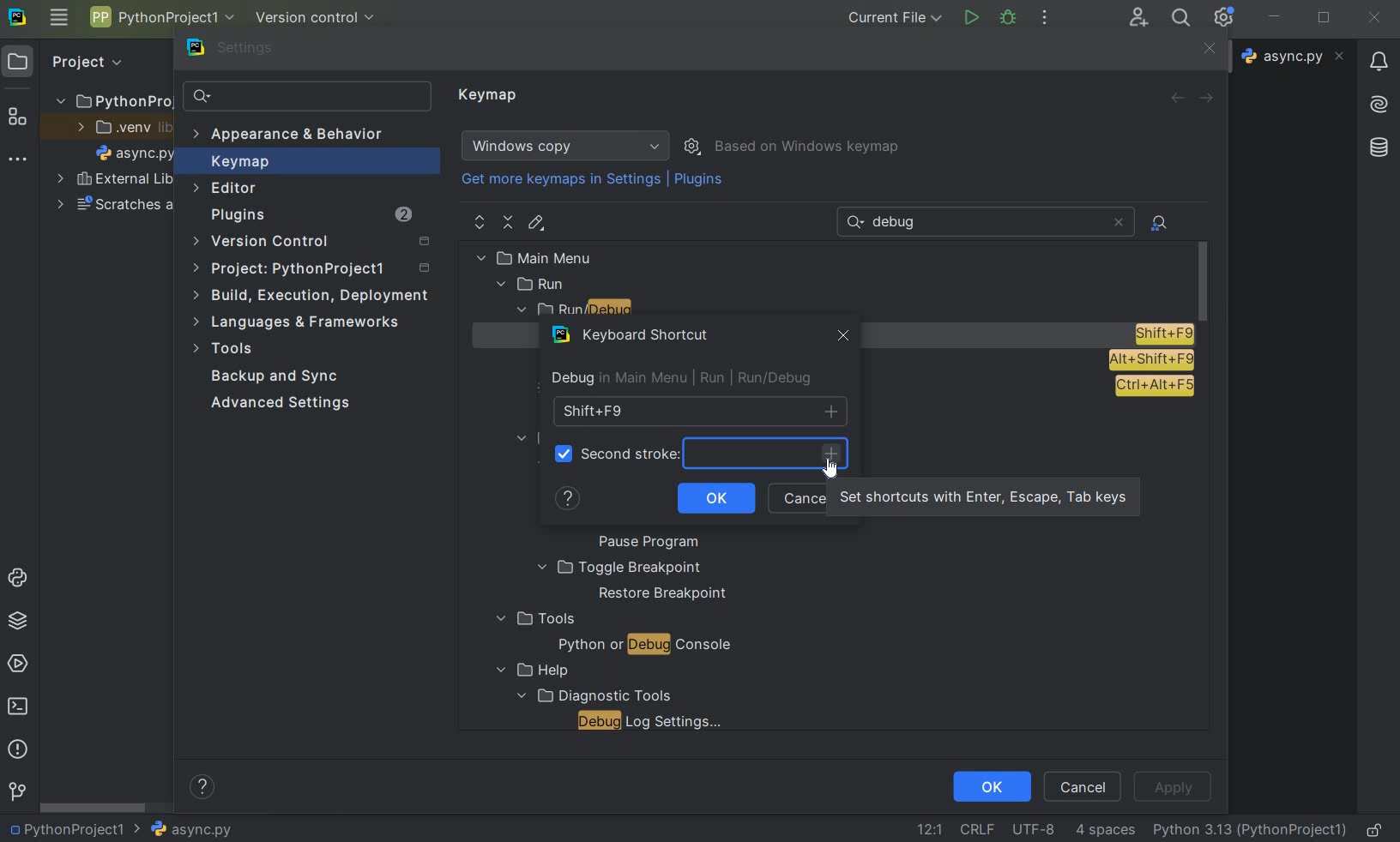 Image resolution: width=1400 pixels, height=842 pixels. Describe the element at coordinates (1178, 20) in the screenshot. I see `search everywhere` at that location.